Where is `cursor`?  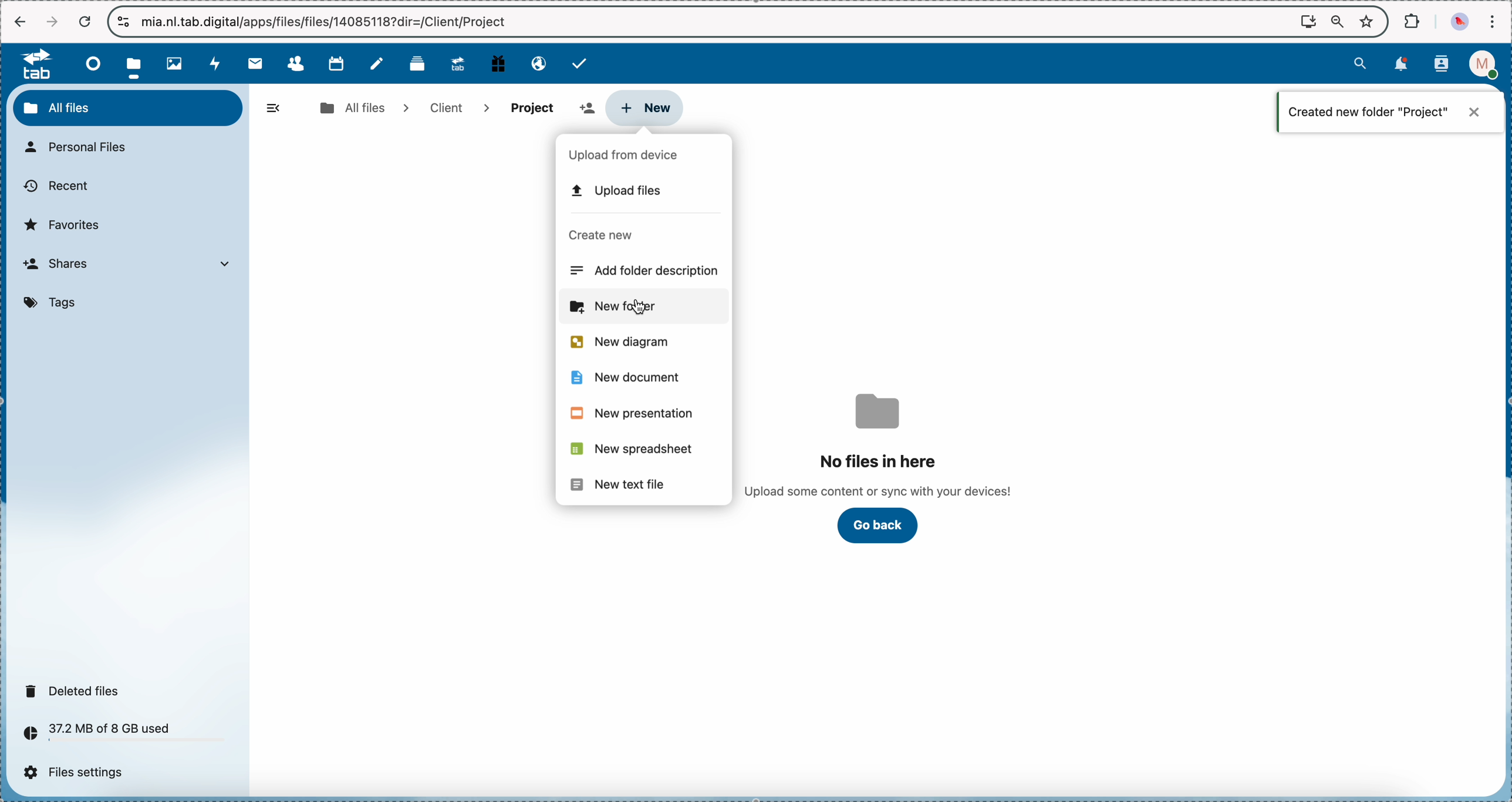 cursor is located at coordinates (649, 312).